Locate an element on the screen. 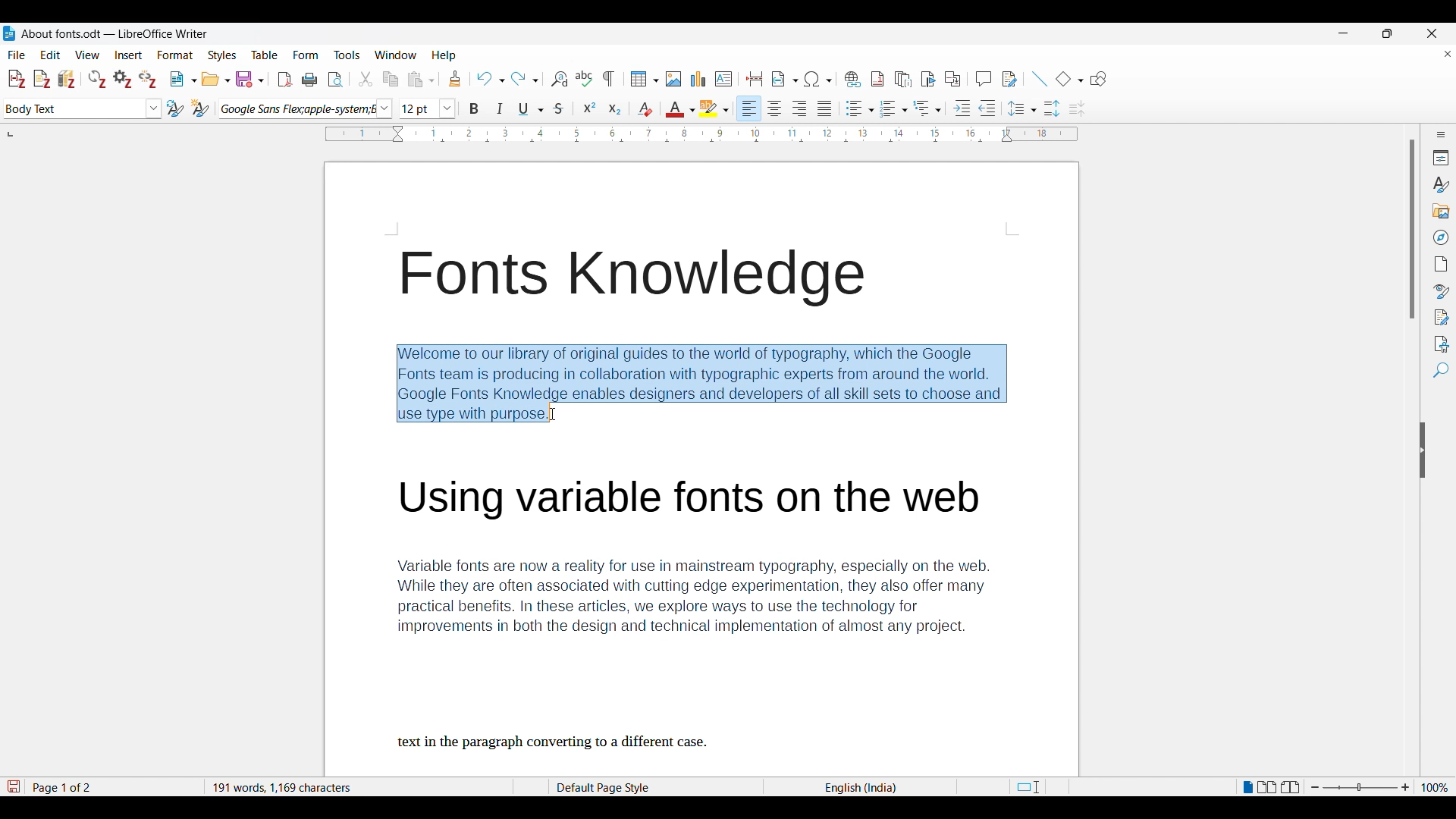  Add note is located at coordinates (42, 80).